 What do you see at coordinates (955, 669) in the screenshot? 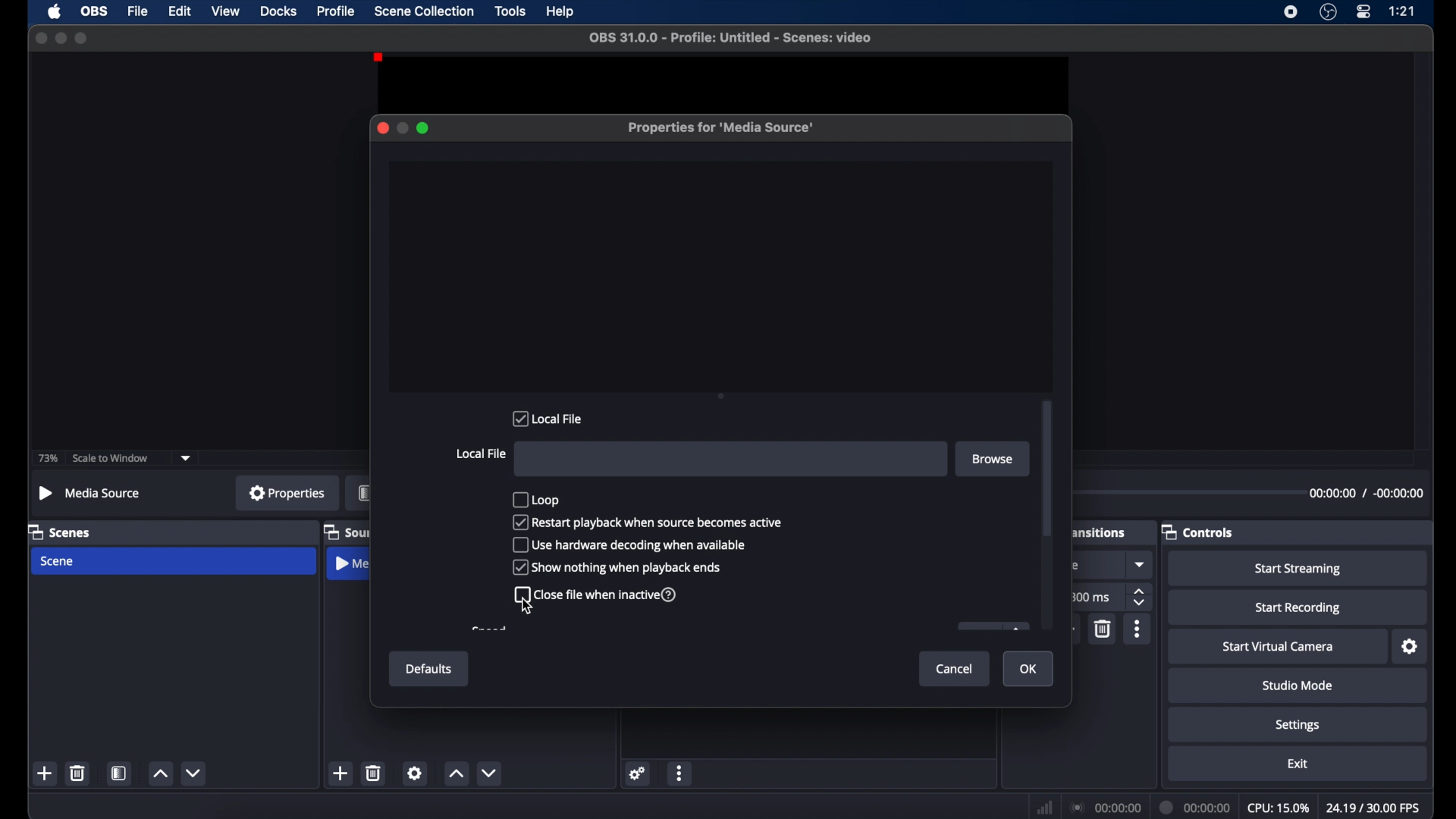
I see `cancel` at bounding box center [955, 669].